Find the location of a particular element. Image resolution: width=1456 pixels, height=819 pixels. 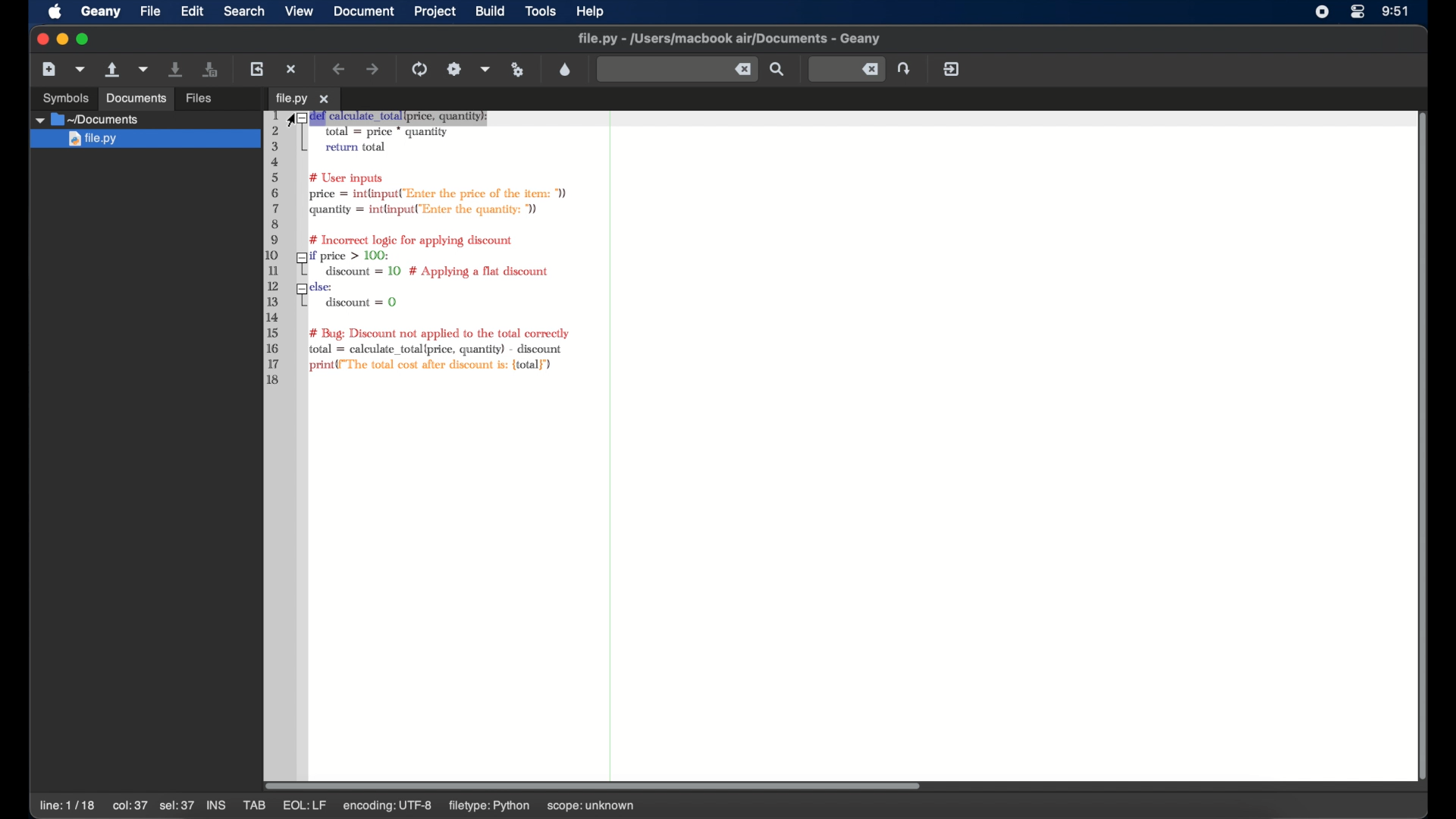

navigate back a  location is located at coordinates (340, 69).